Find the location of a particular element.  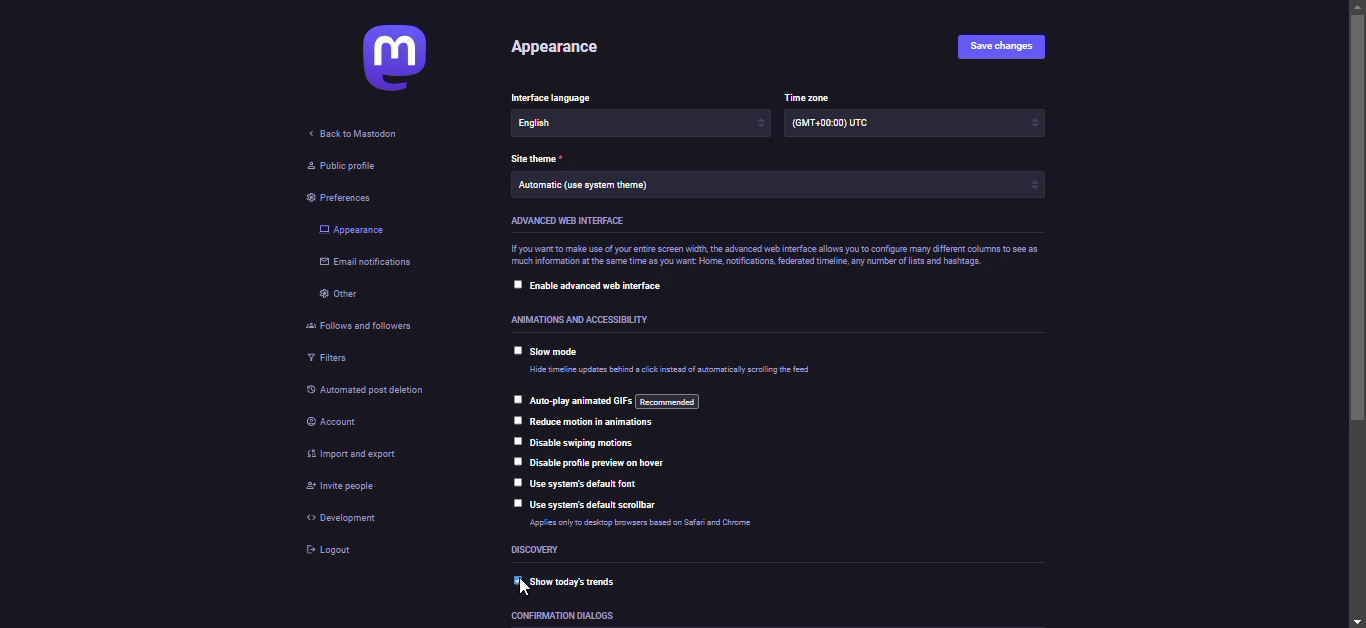

use system's default scrollbar is located at coordinates (598, 505).